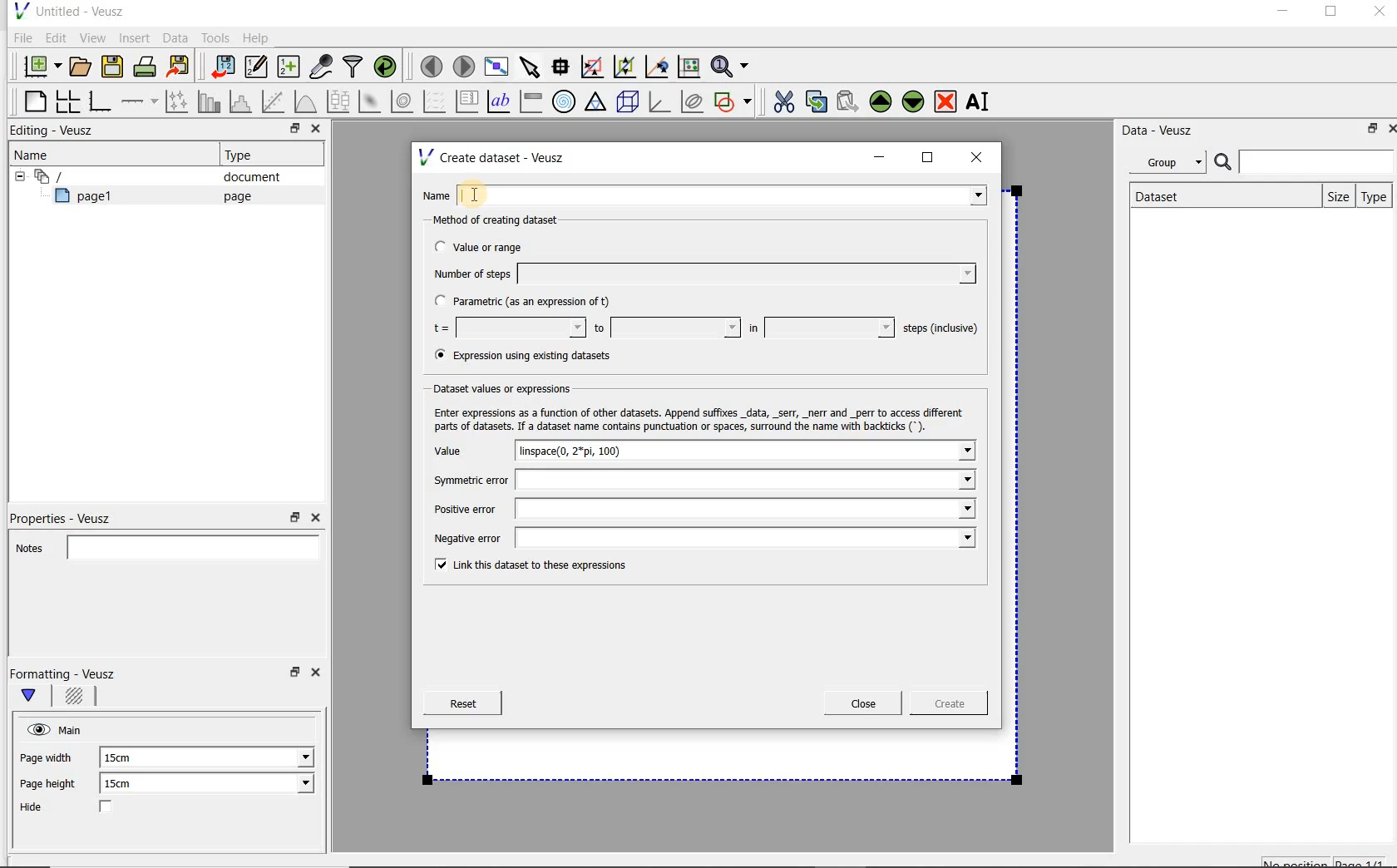 This screenshot has width=1397, height=868. I want to click on Type, so click(1375, 196).